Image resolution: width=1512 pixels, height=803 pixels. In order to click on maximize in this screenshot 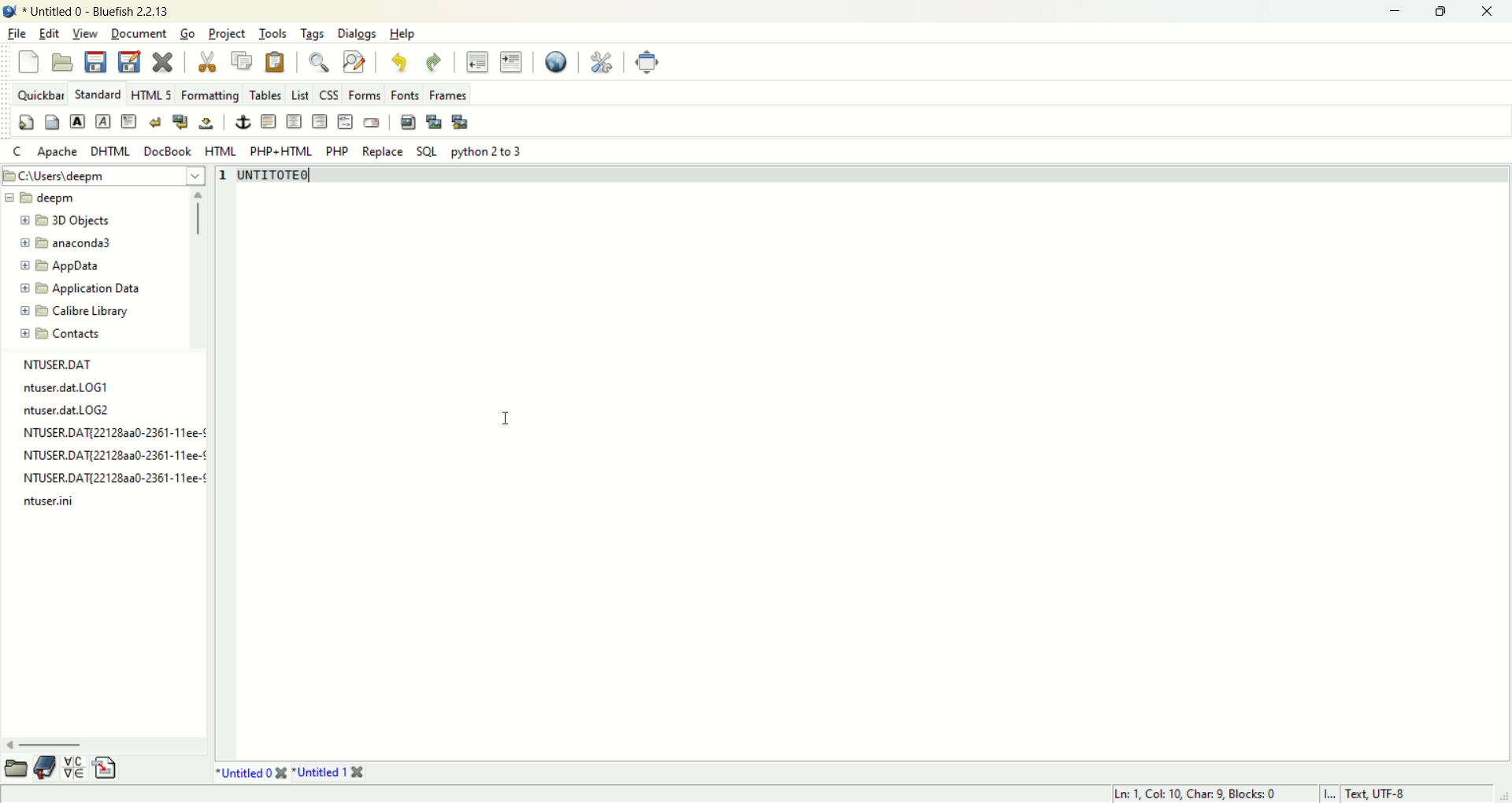, I will do `click(1440, 12)`.